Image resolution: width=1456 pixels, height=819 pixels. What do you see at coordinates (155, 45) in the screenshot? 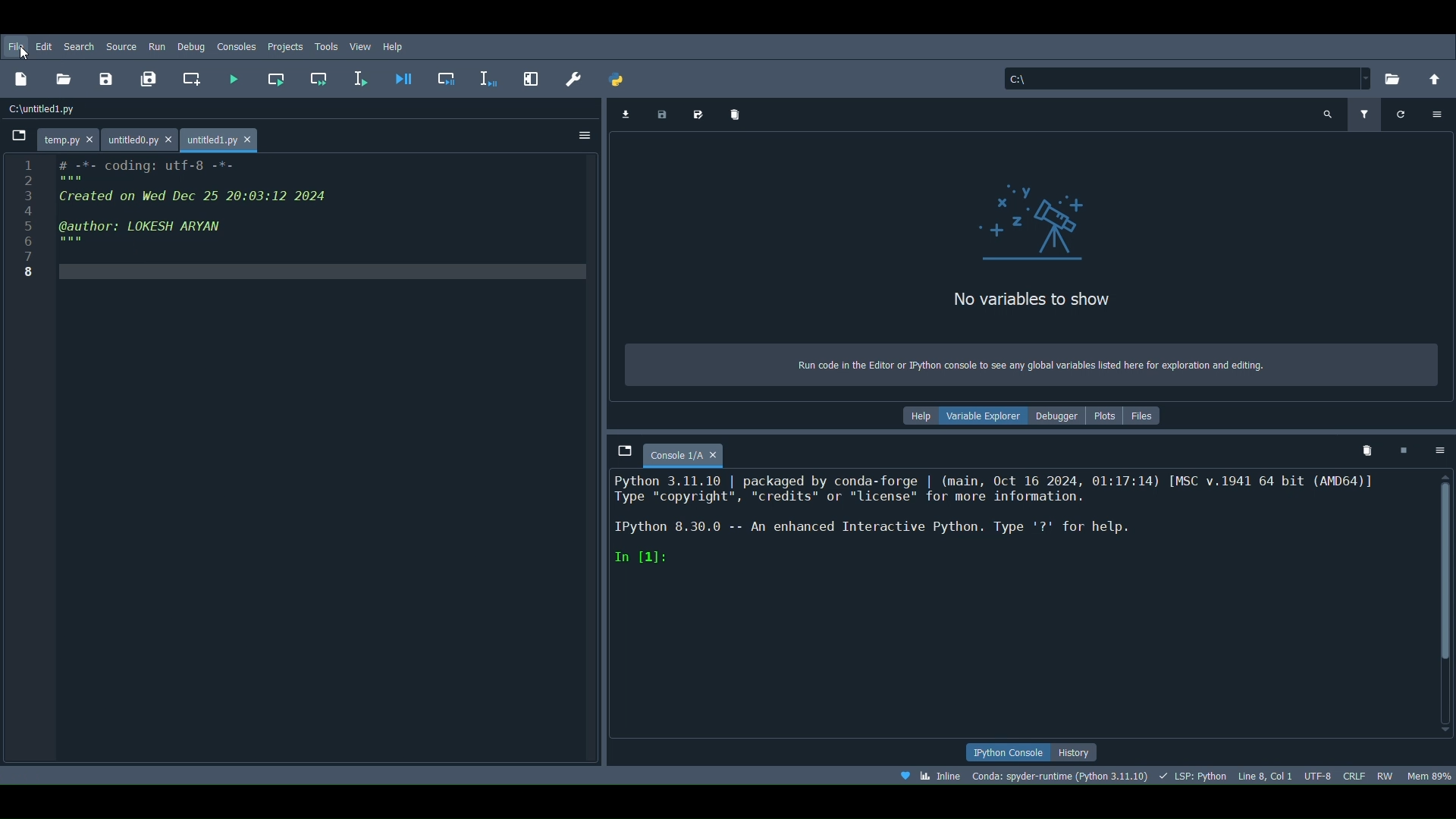
I see `Run` at bounding box center [155, 45].